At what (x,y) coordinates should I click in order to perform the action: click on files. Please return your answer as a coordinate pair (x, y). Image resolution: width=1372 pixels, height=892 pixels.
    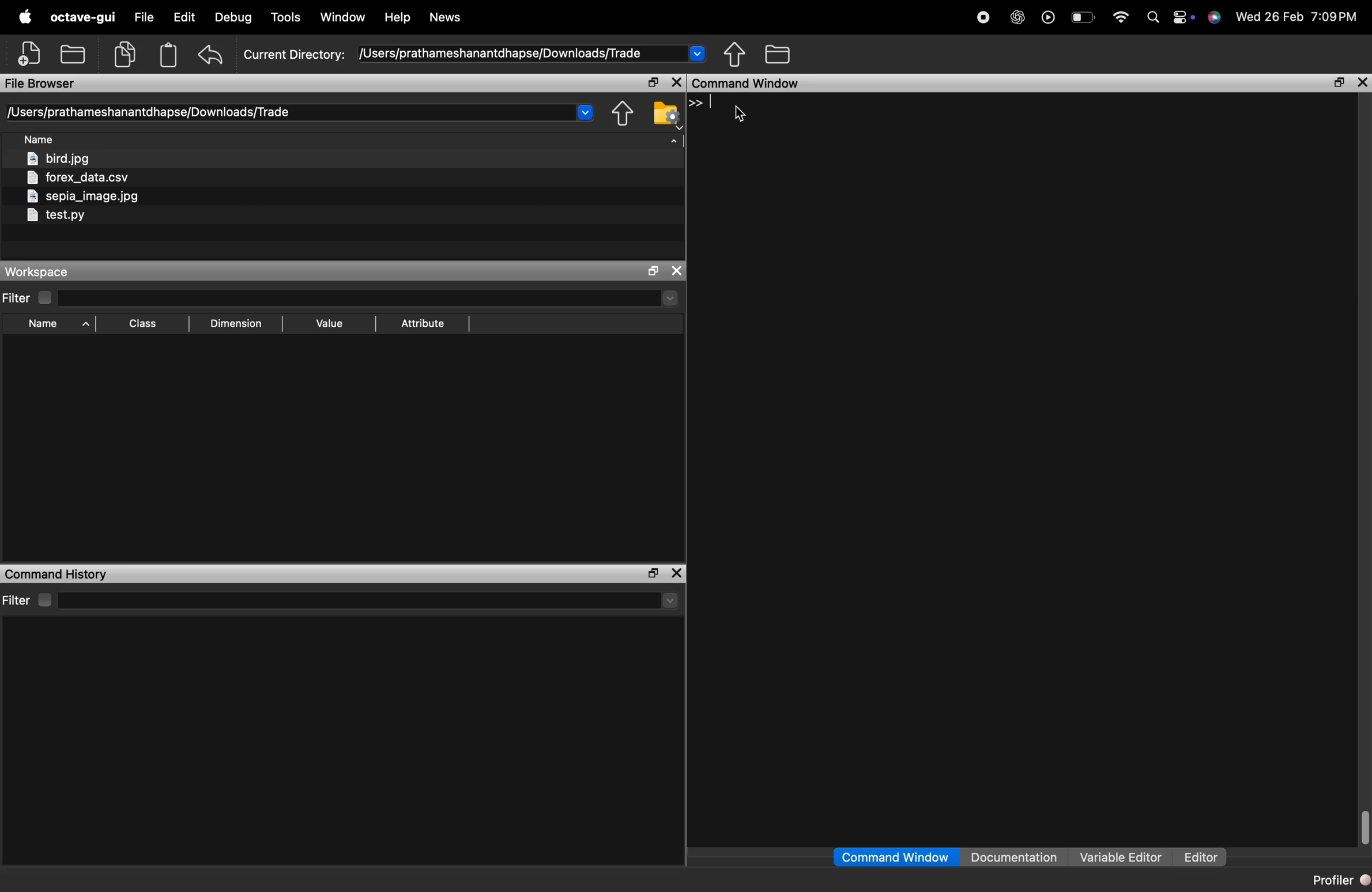
    Looking at the image, I should click on (108, 190).